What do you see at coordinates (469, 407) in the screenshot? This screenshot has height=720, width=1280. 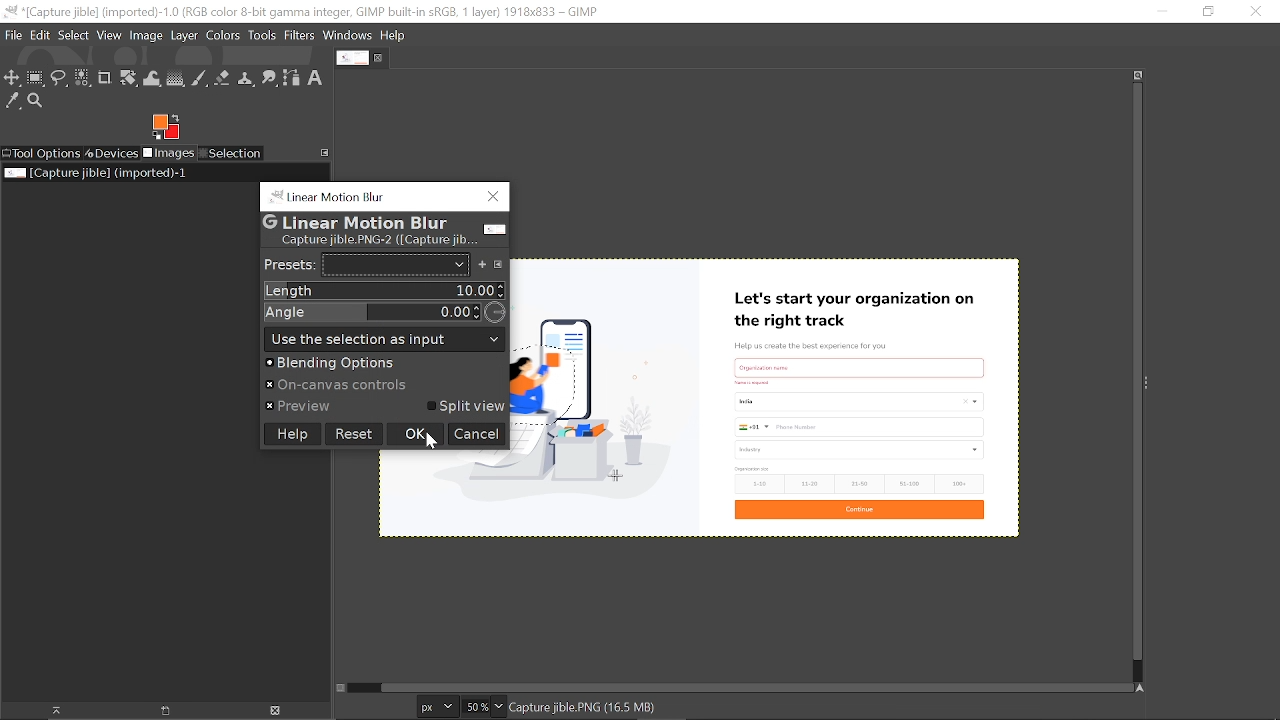 I see `Split view` at bounding box center [469, 407].